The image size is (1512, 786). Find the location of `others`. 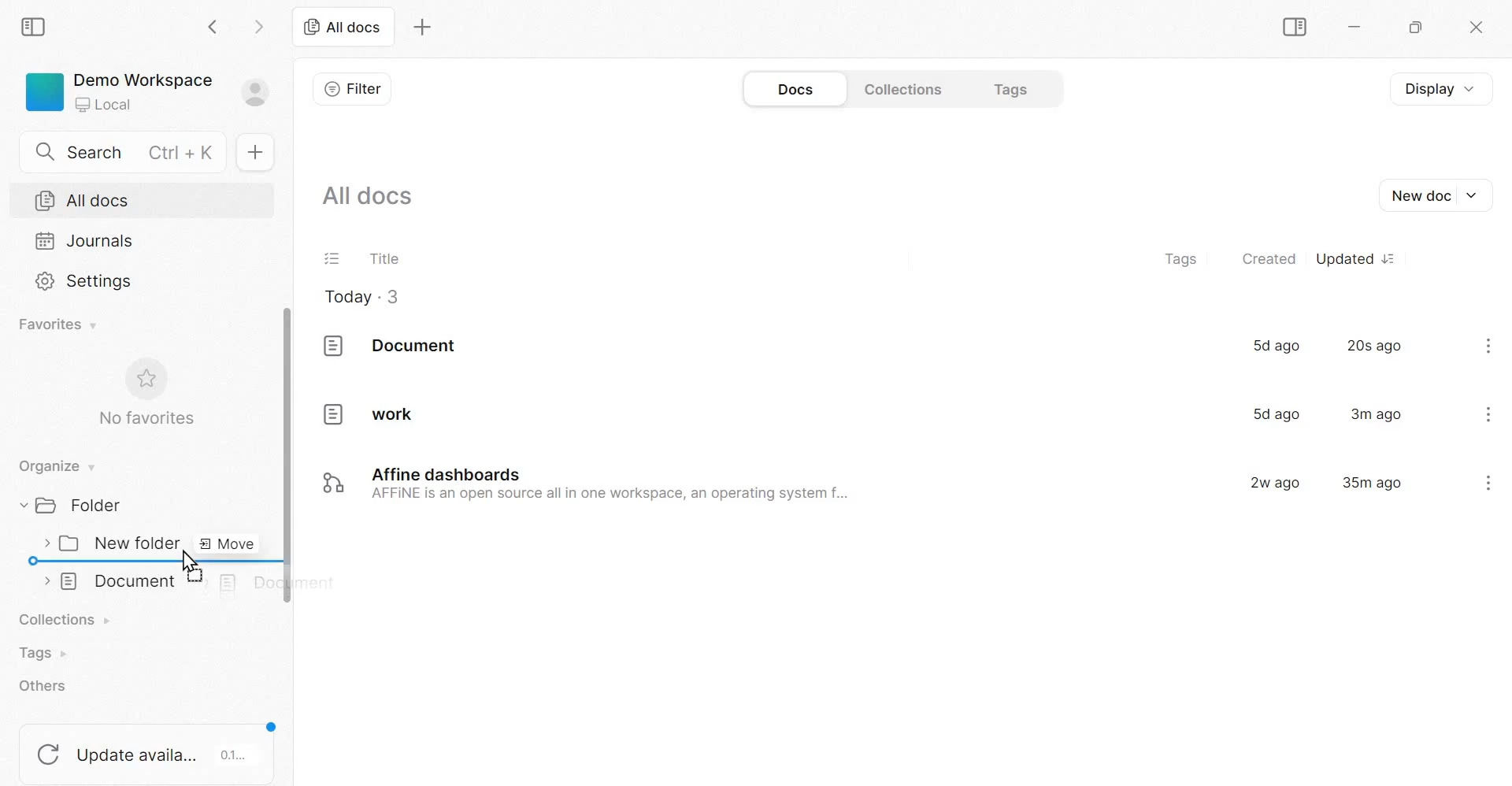

others is located at coordinates (46, 686).